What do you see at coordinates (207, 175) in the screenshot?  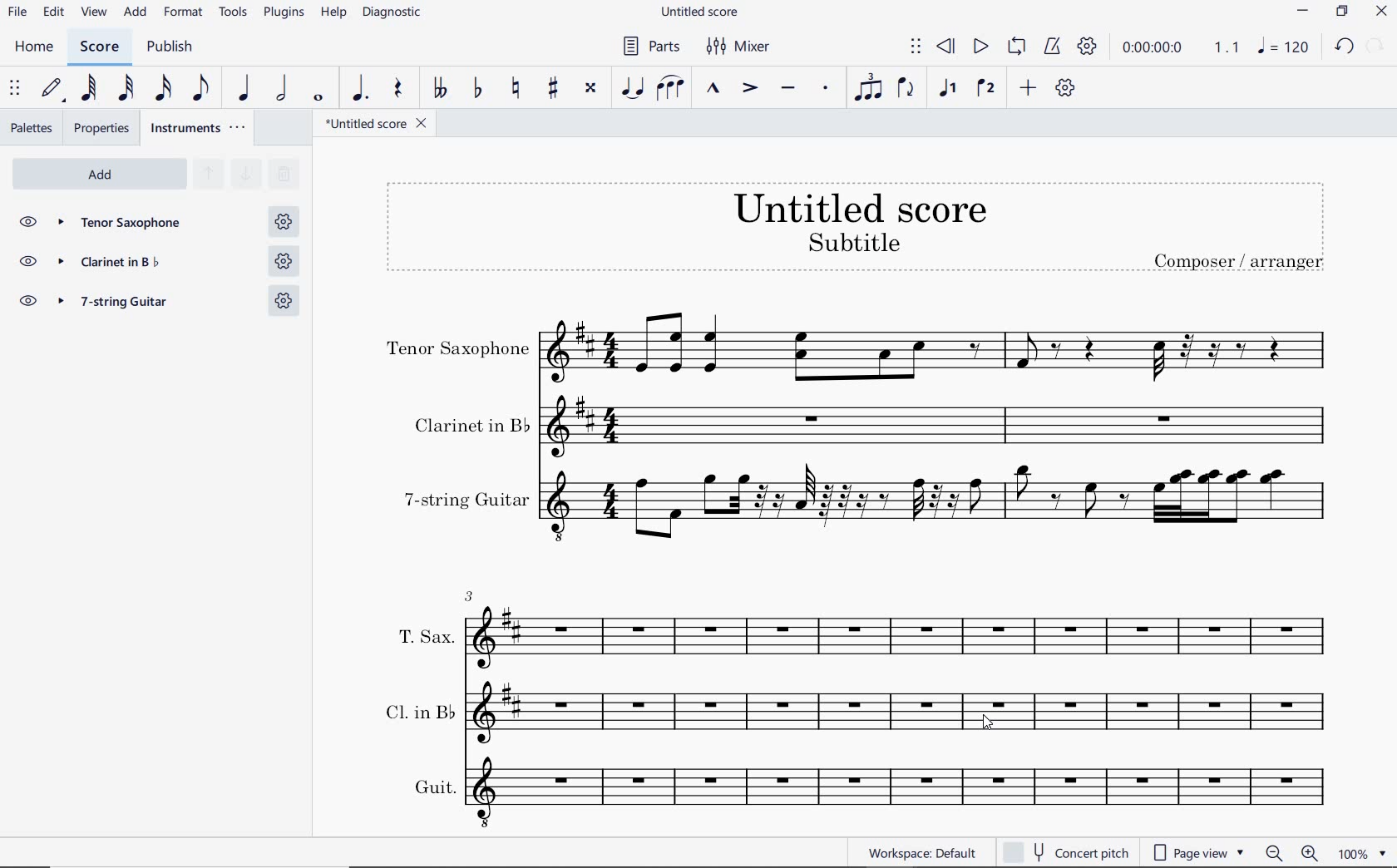 I see `up` at bounding box center [207, 175].